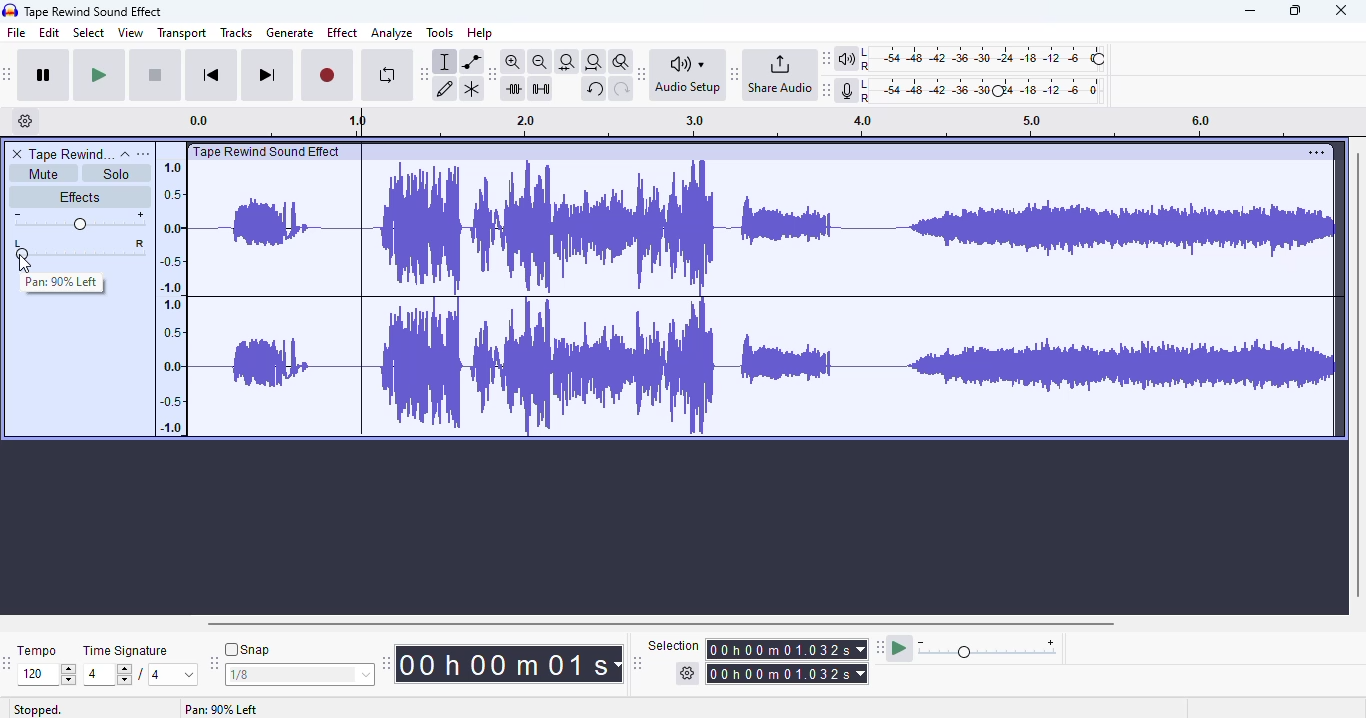  Describe the element at coordinates (440, 32) in the screenshot. I see `tools` at that location.